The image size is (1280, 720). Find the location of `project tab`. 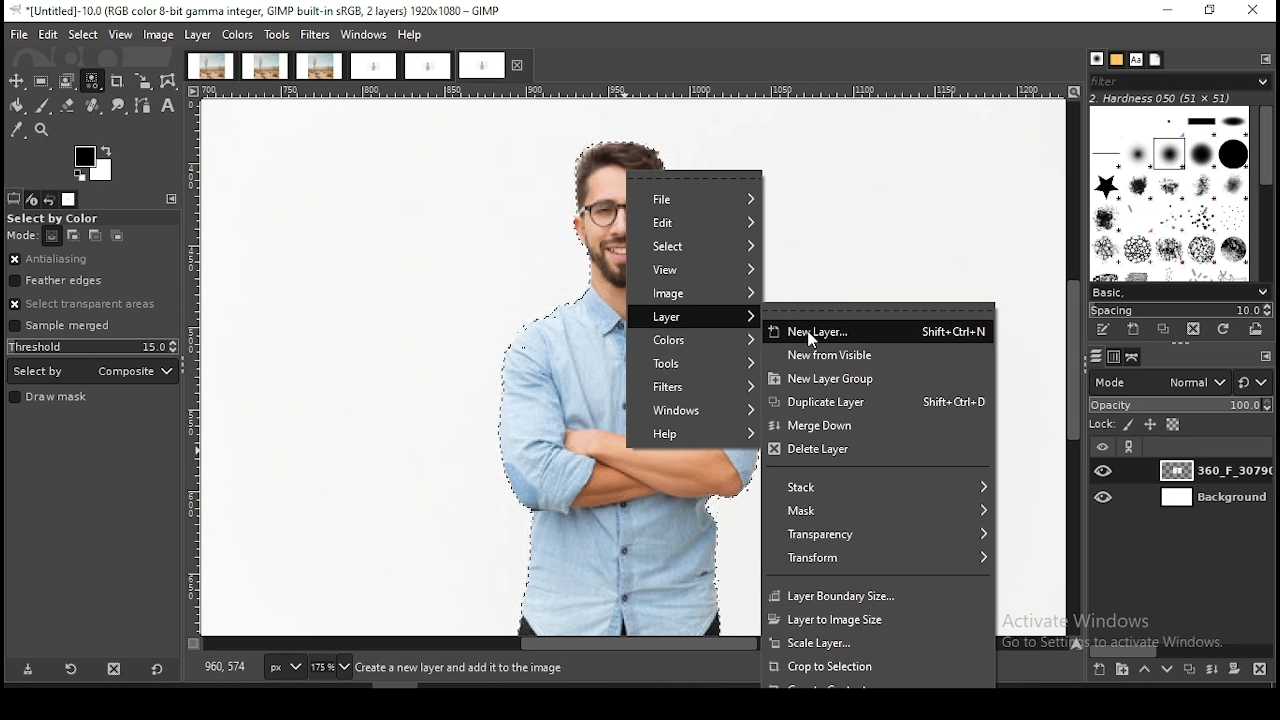

project tab is located at coordinates (373, 67).